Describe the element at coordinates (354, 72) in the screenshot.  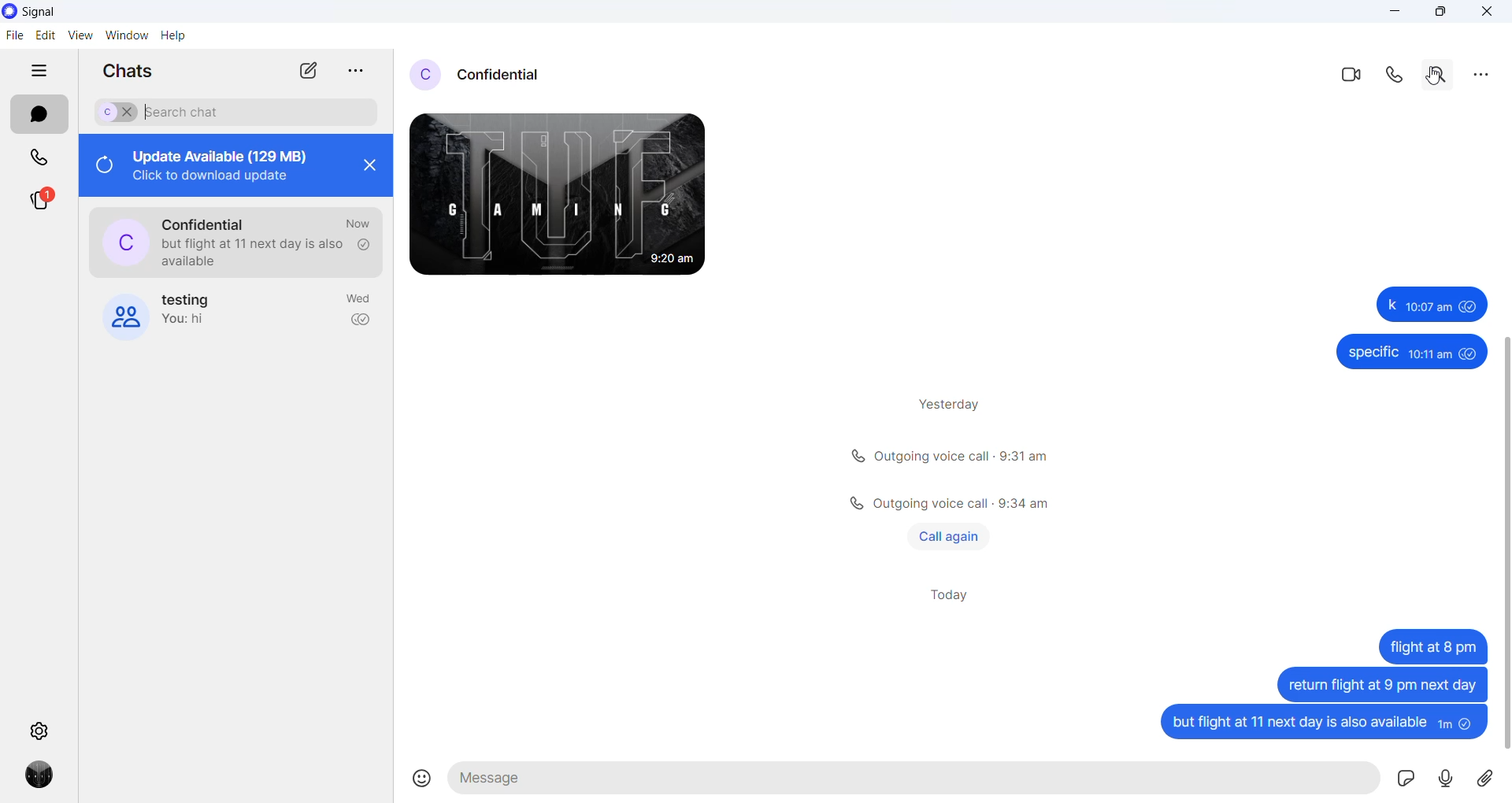
I see `close tab` at that location.